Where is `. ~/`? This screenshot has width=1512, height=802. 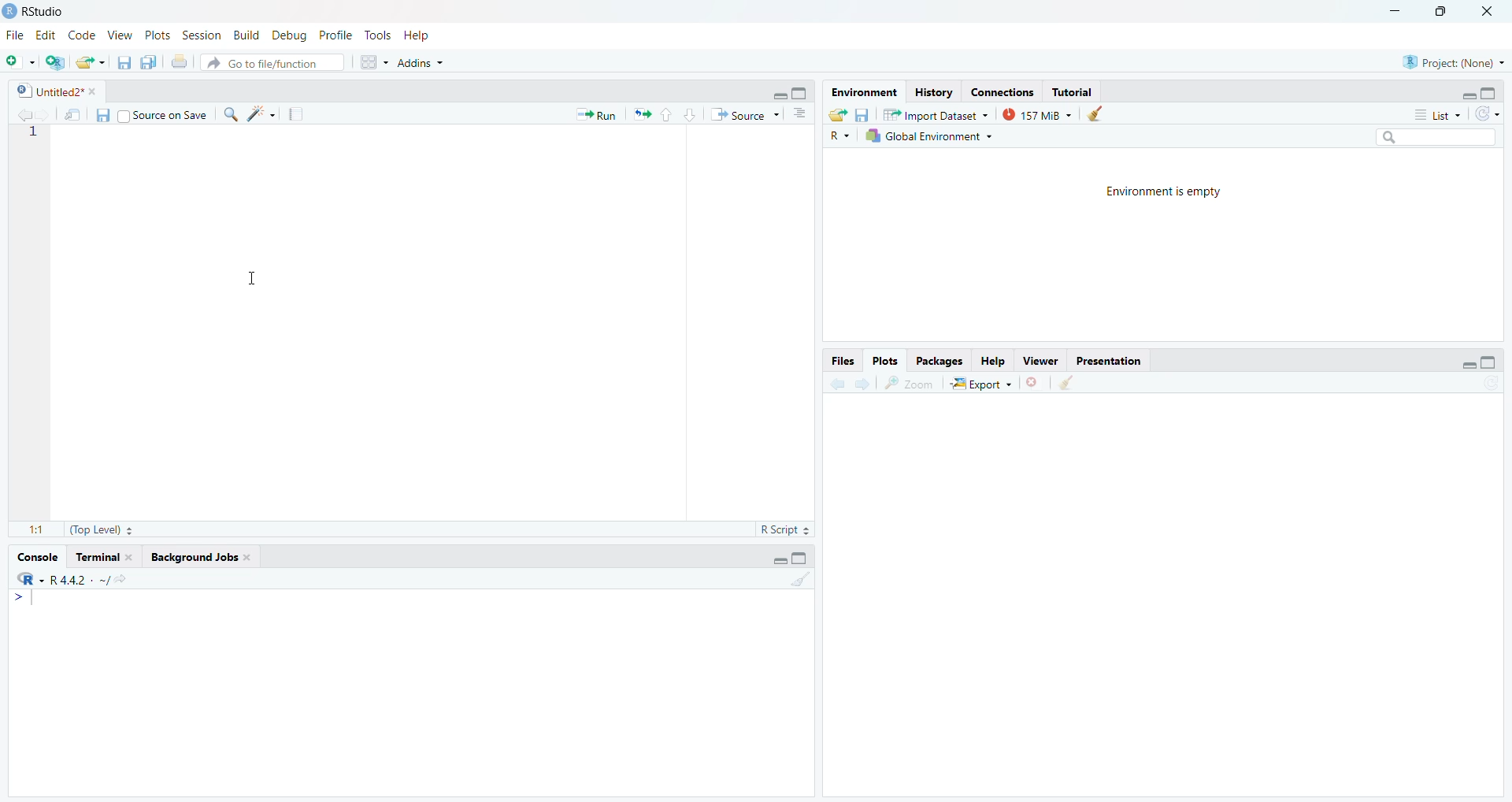 . ~/ is located at coordinates (101, 578).